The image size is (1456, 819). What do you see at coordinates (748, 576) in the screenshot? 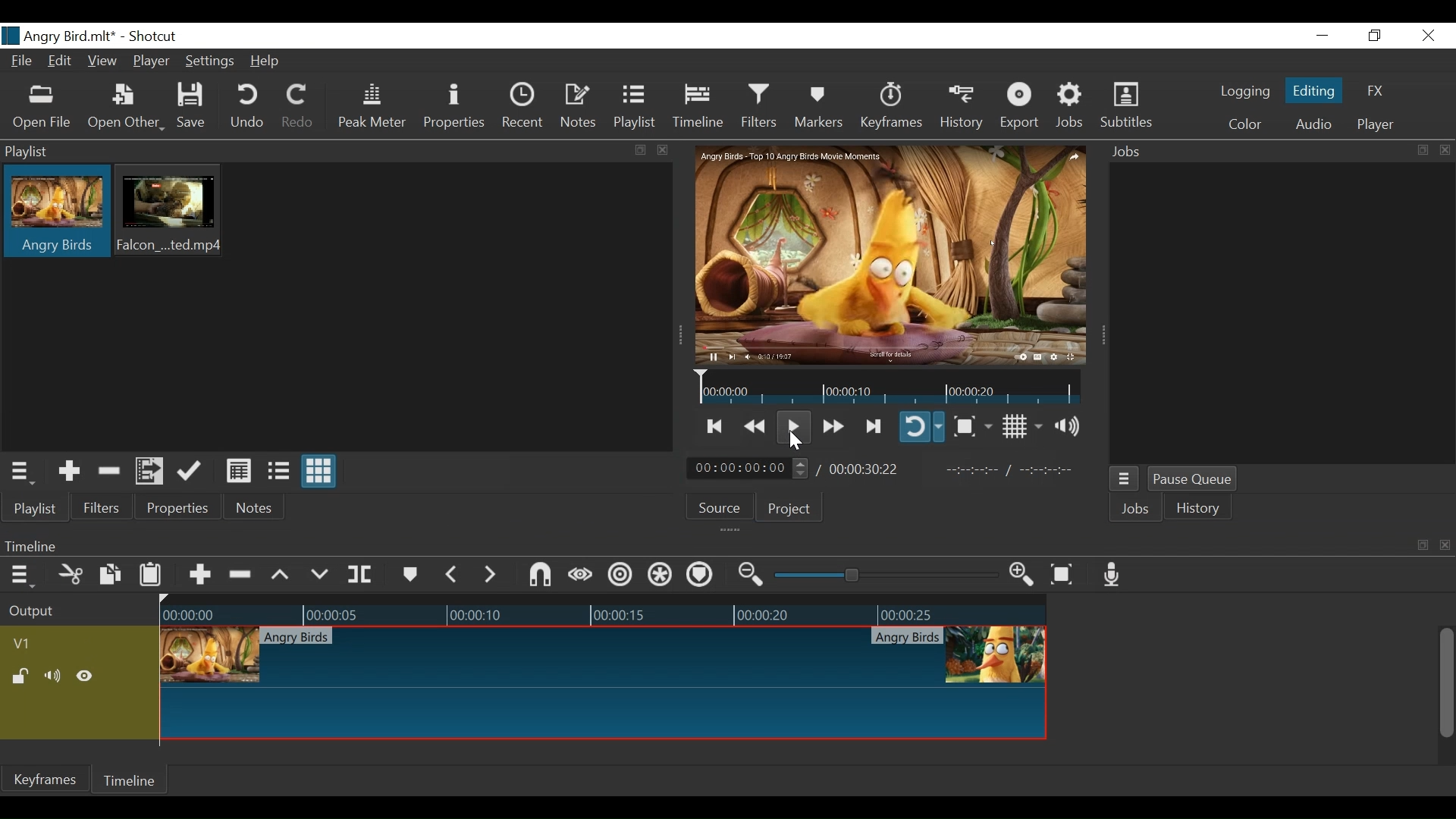
I see `Zoom timeline out` at bounding box center [748, 576].